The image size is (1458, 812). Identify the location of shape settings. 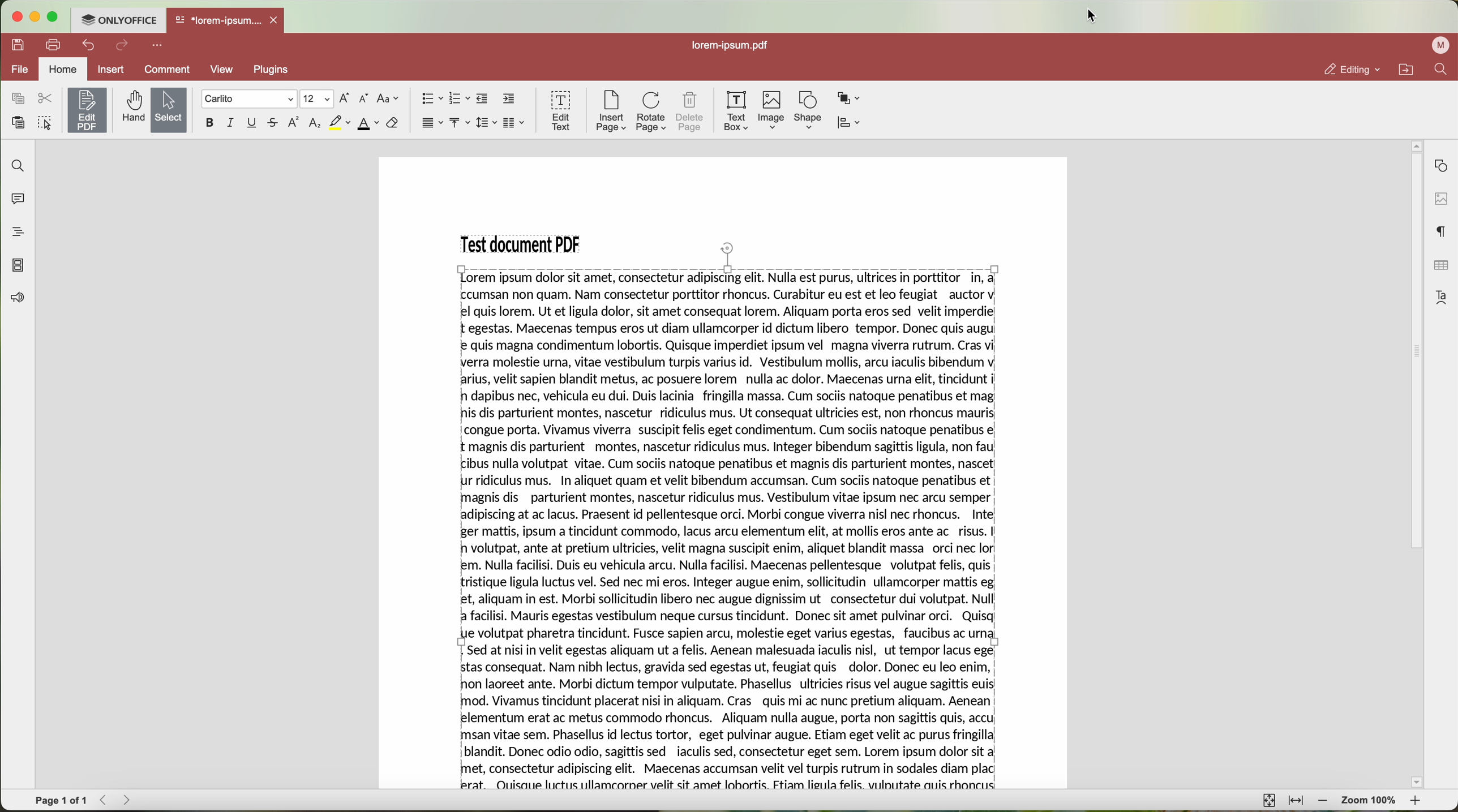
(1440, 165).